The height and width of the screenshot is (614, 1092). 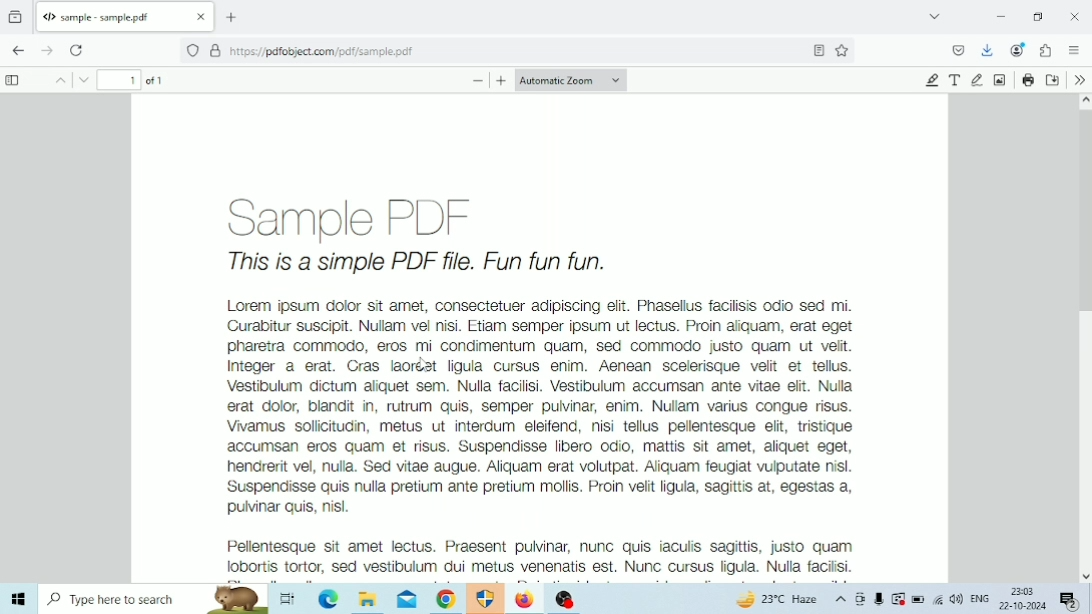 I want to click on Google Chrome, so click(x=446, y=599).